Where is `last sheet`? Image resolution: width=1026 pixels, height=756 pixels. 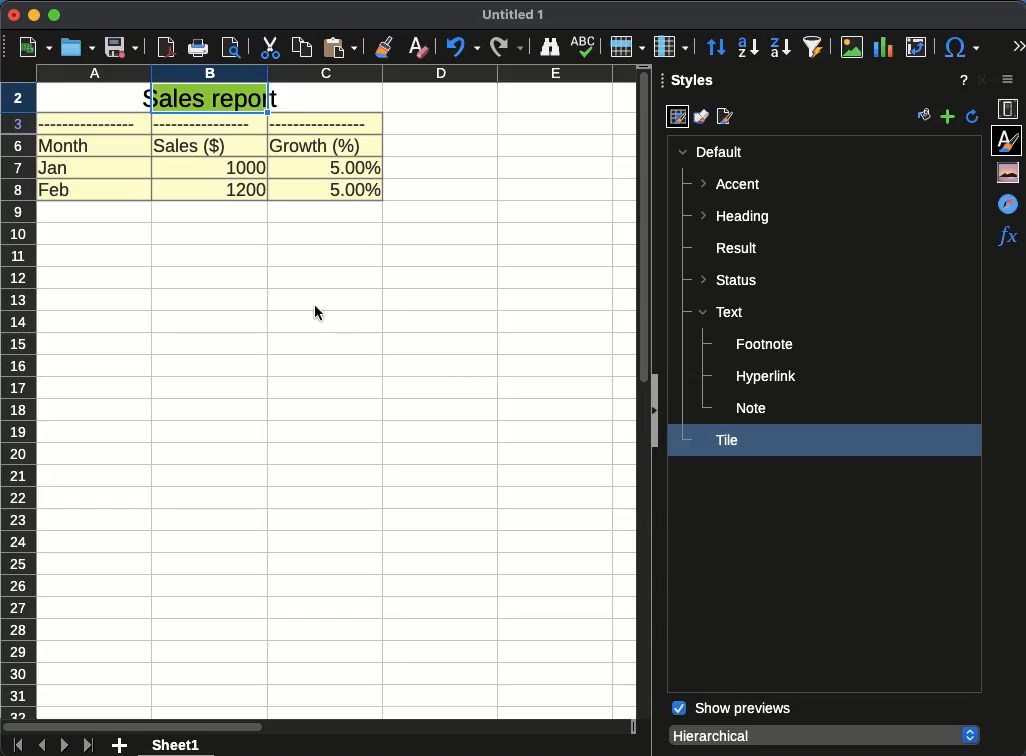
last sheet is located at coordinates (90, 745).